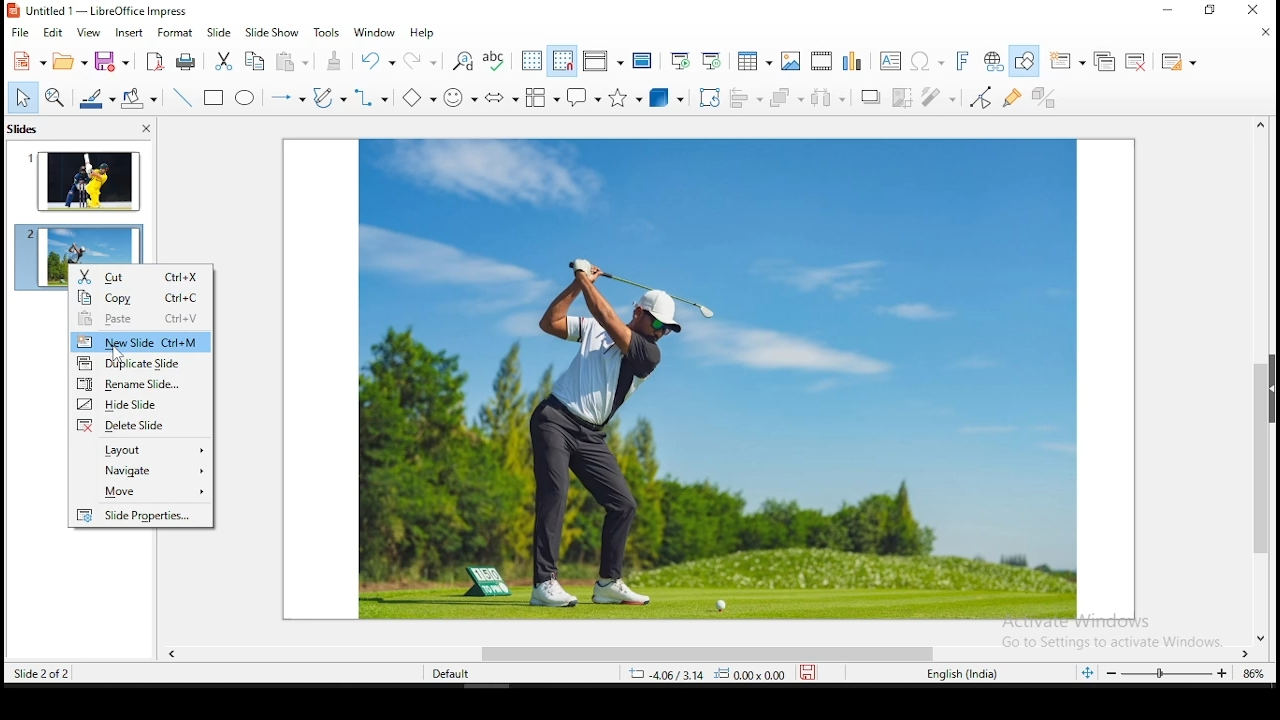  I want to click on Hide slide, so click(142, 403).